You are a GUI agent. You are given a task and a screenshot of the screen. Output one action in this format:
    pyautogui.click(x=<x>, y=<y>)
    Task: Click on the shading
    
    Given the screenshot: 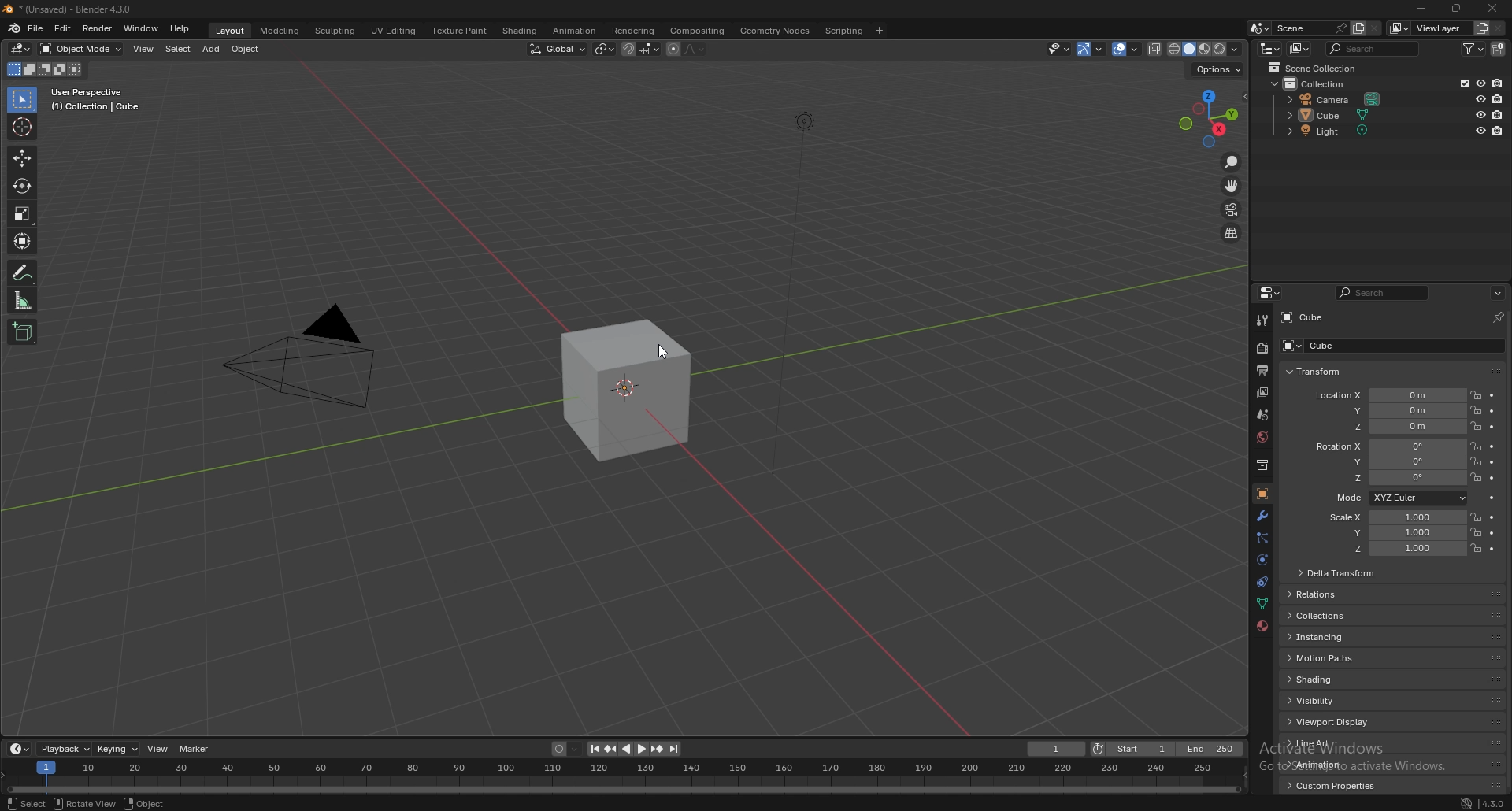 What is the action you would take?
    pyautogui.click(x=521, y=30)
    